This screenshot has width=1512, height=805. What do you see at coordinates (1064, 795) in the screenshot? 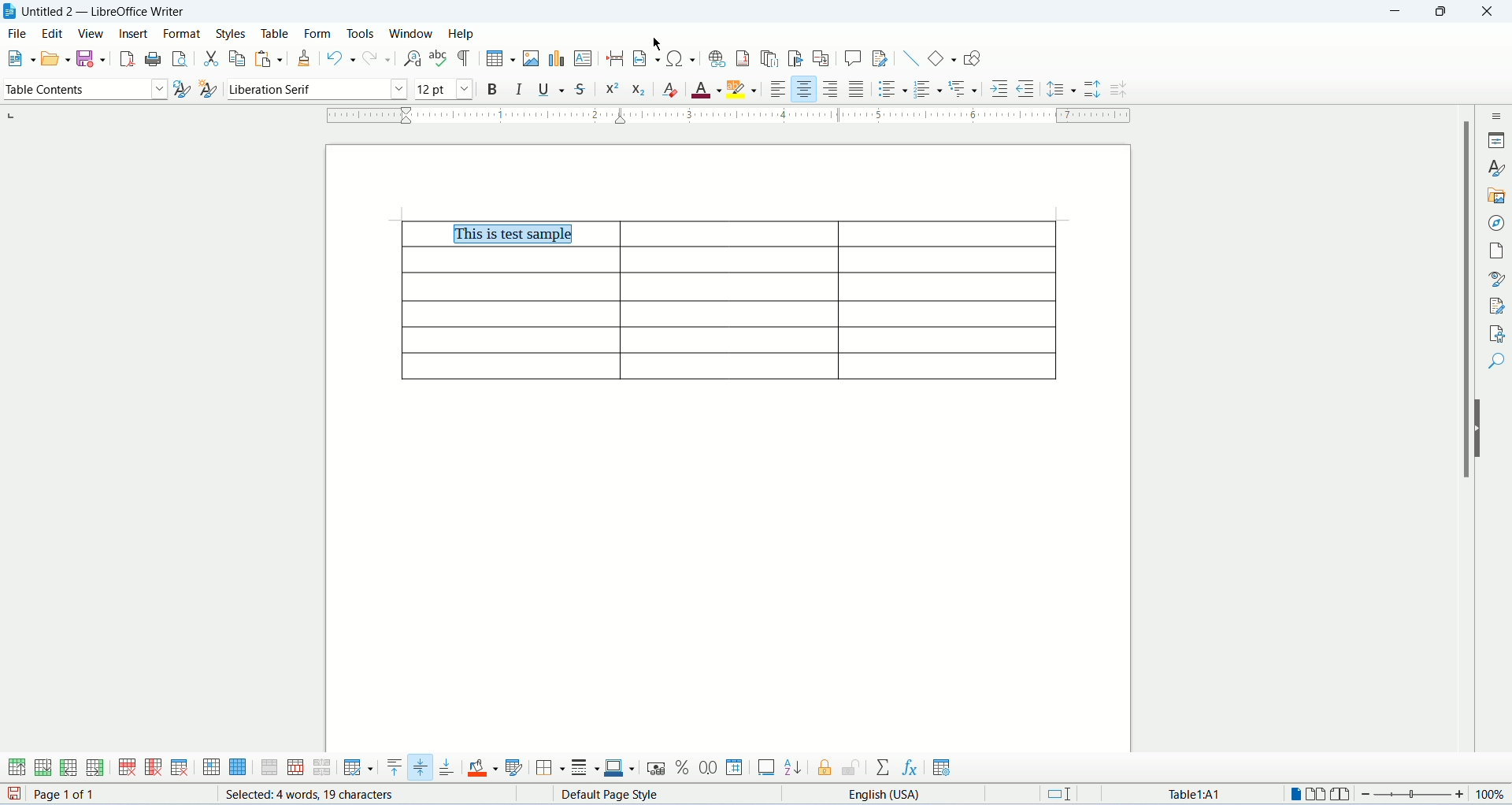
I see `standard selection` at bounding box center [1064, 795].